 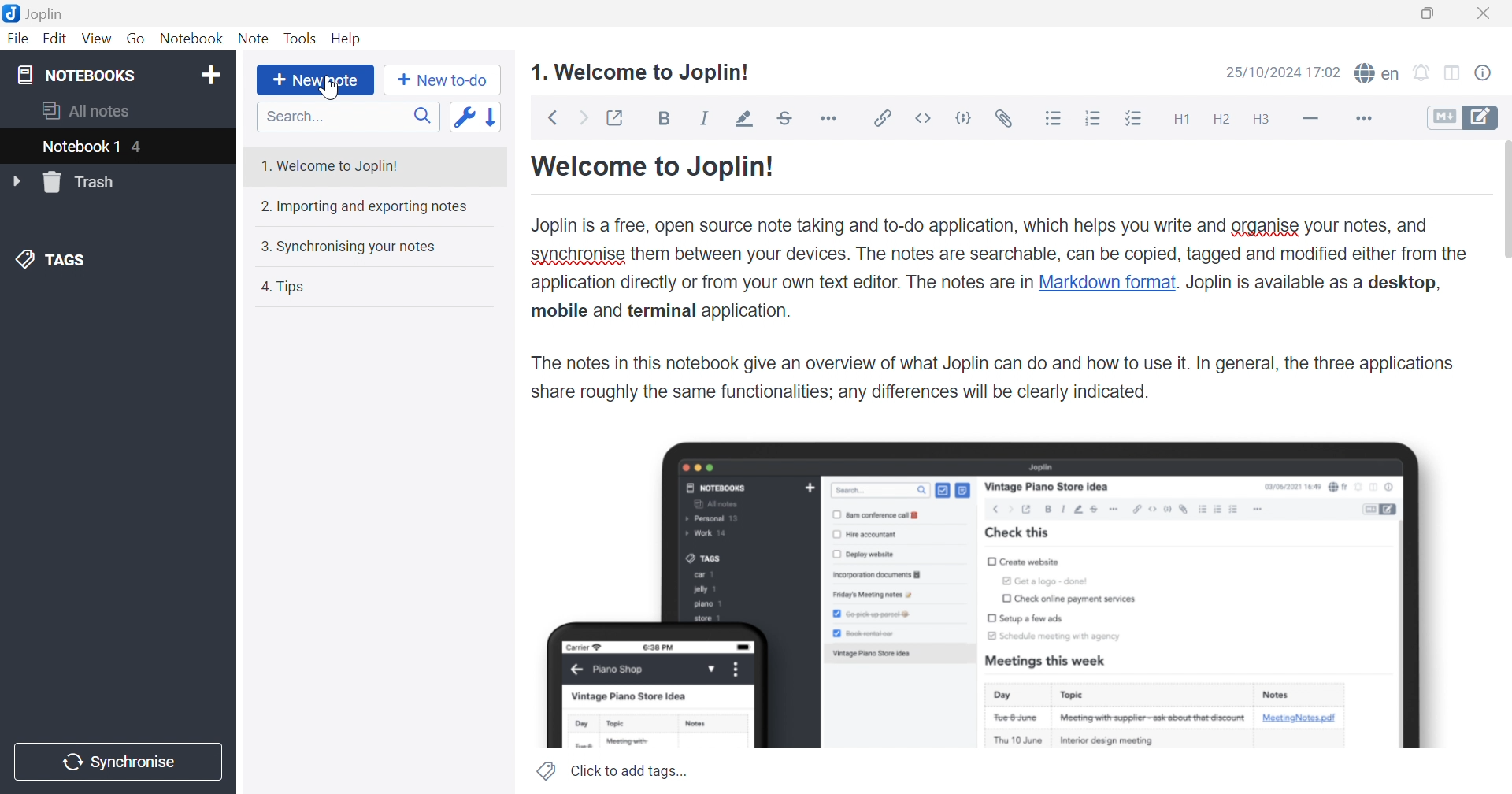 What do you see at coordinates (191, 38) in the screenshot?
I see `Notebook` at bounding box center [191, 38].